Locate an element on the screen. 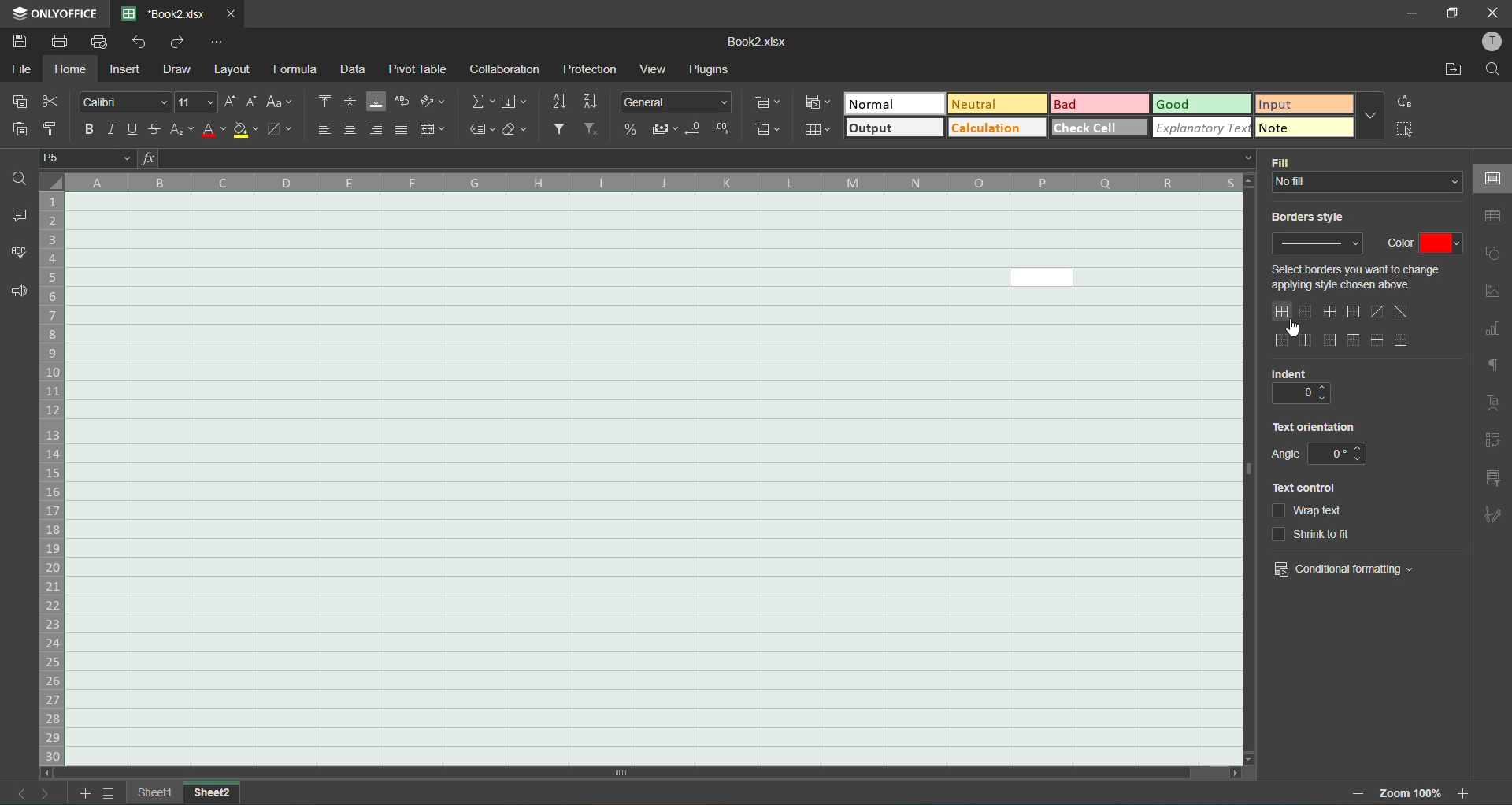 The height and width of the screenshot is (805, 1512). indent is located at coordinates (1303, 374).